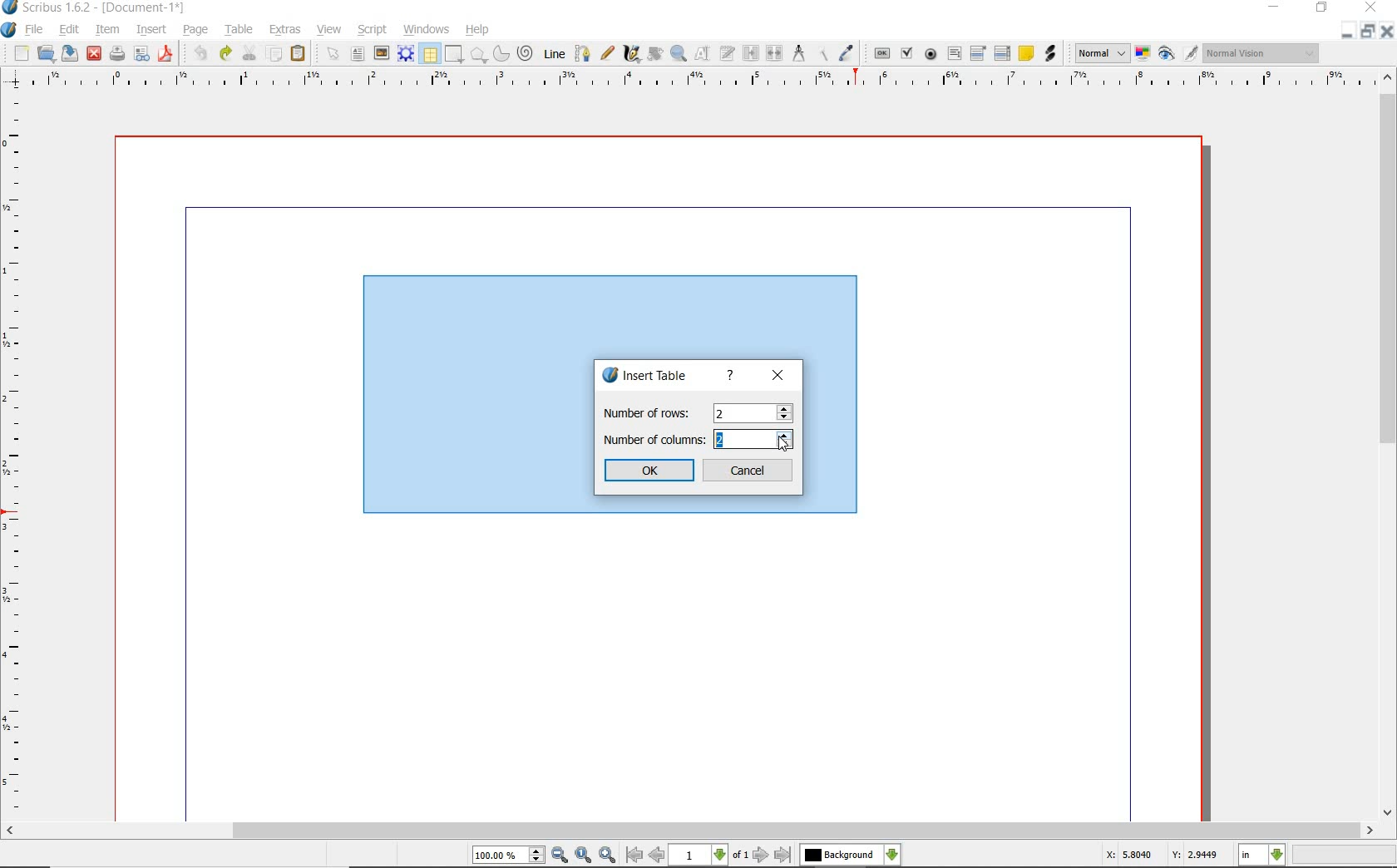 Image resolution: width=1397 pixels, height=868 pixels. What do you see at coordinates (1049, 53) in the screenshot?
I see `link annotation` at bounding box center [1049, 53].